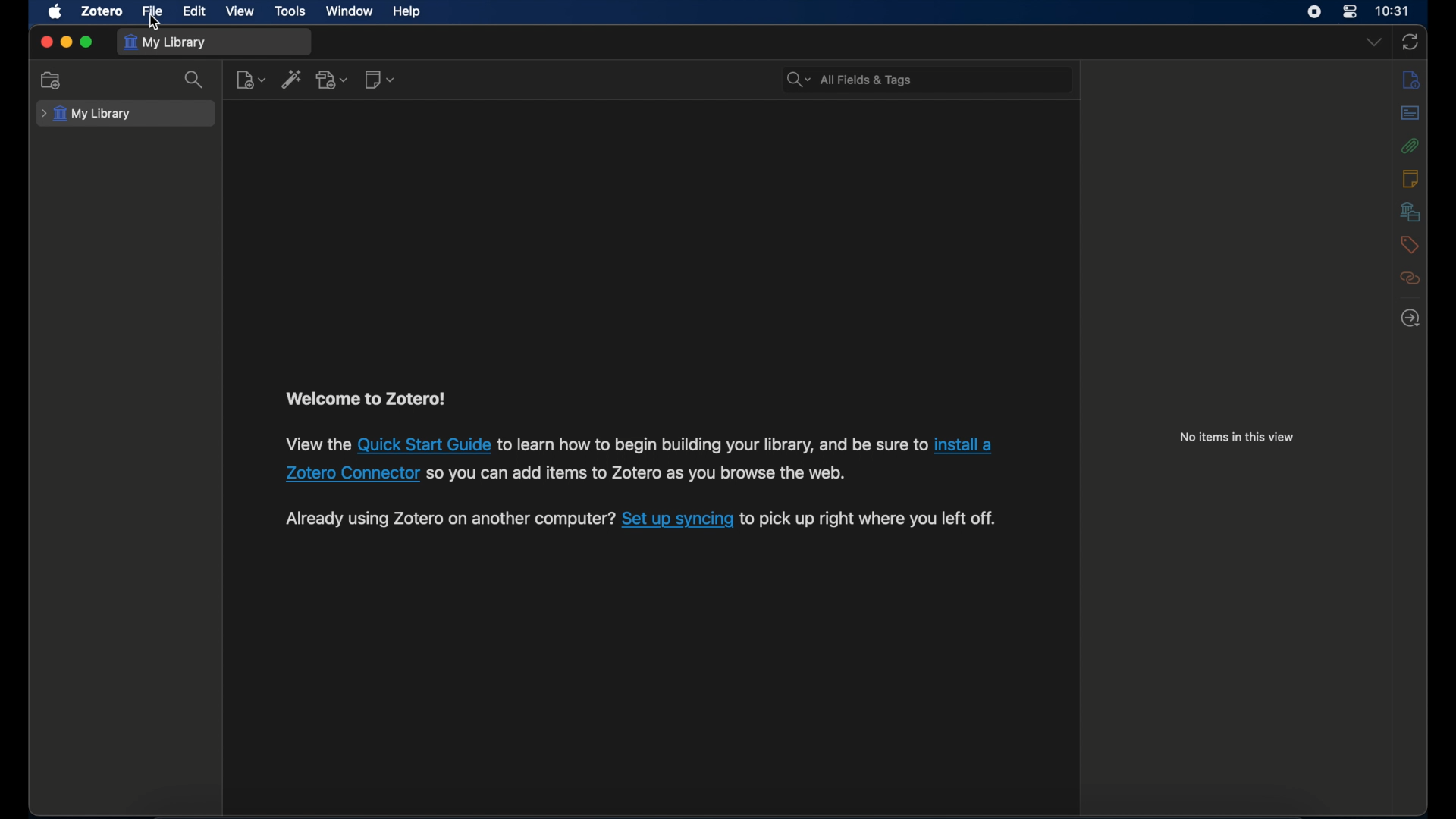  I want to click on minimize, so click(65, 42).